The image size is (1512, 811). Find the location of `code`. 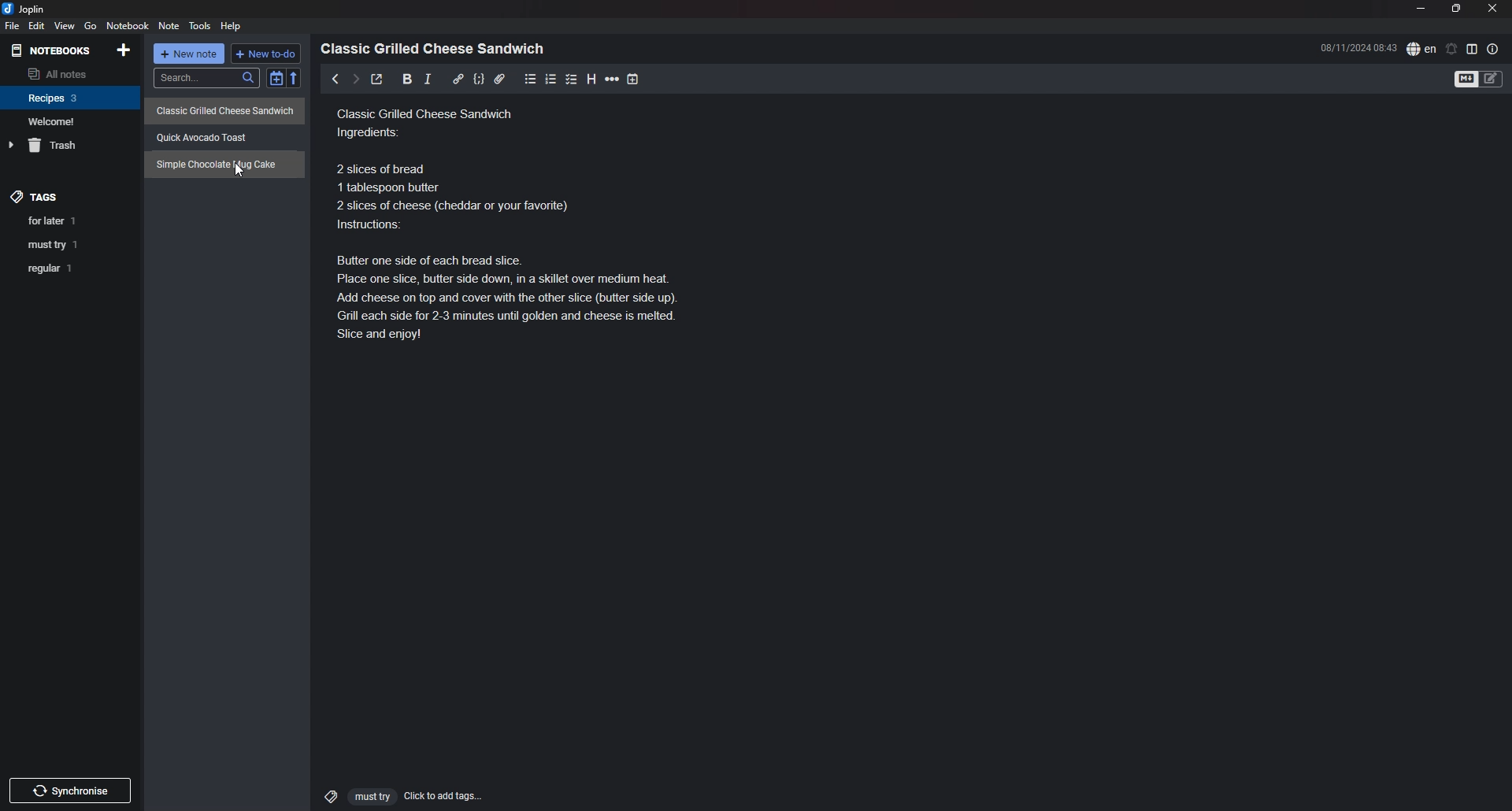

code is located at coordinates (478, 79).